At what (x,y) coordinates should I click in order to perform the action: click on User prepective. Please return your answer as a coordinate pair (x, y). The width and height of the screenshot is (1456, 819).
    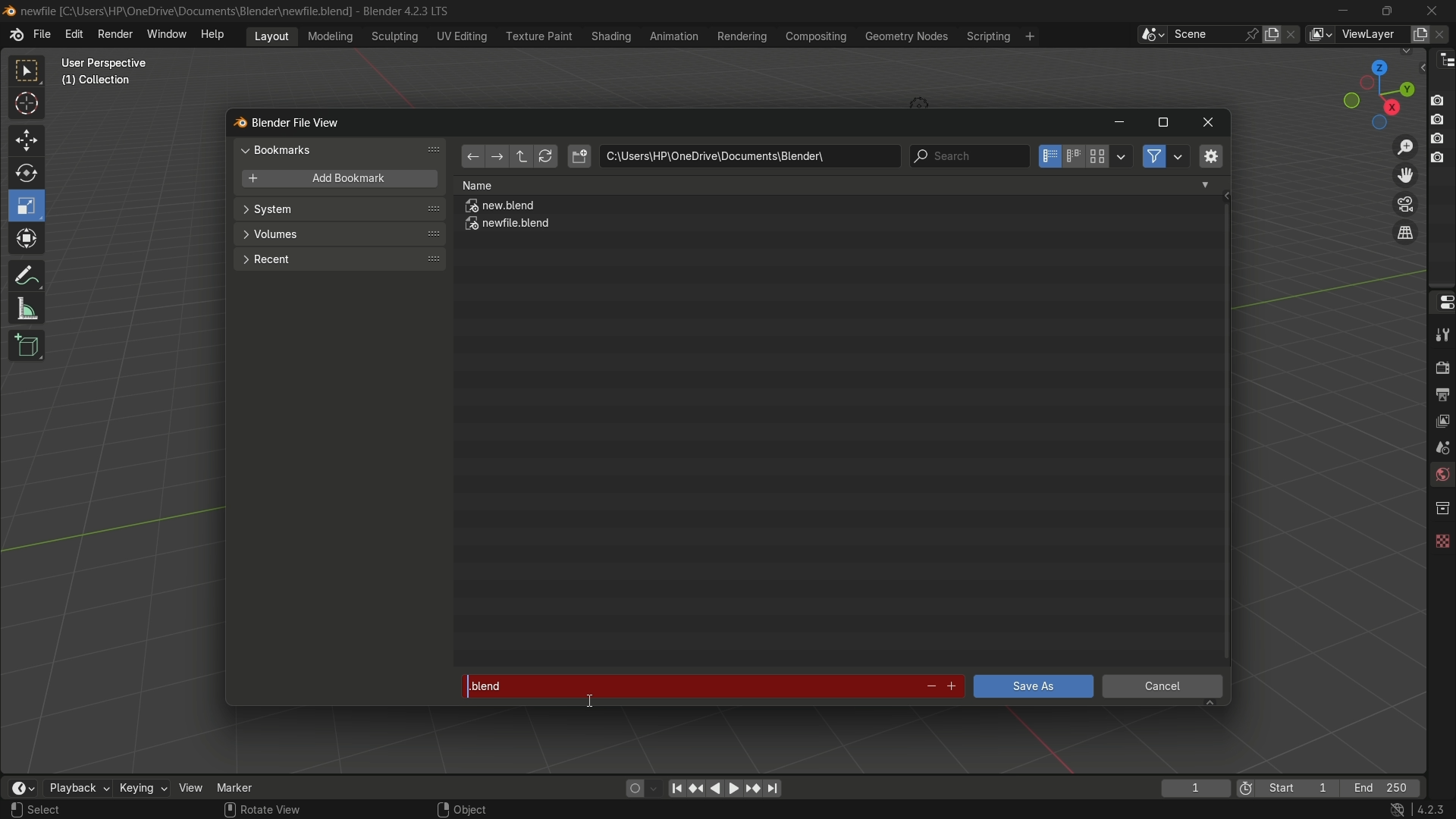
    Looking at the image, I should click on (111, 63).